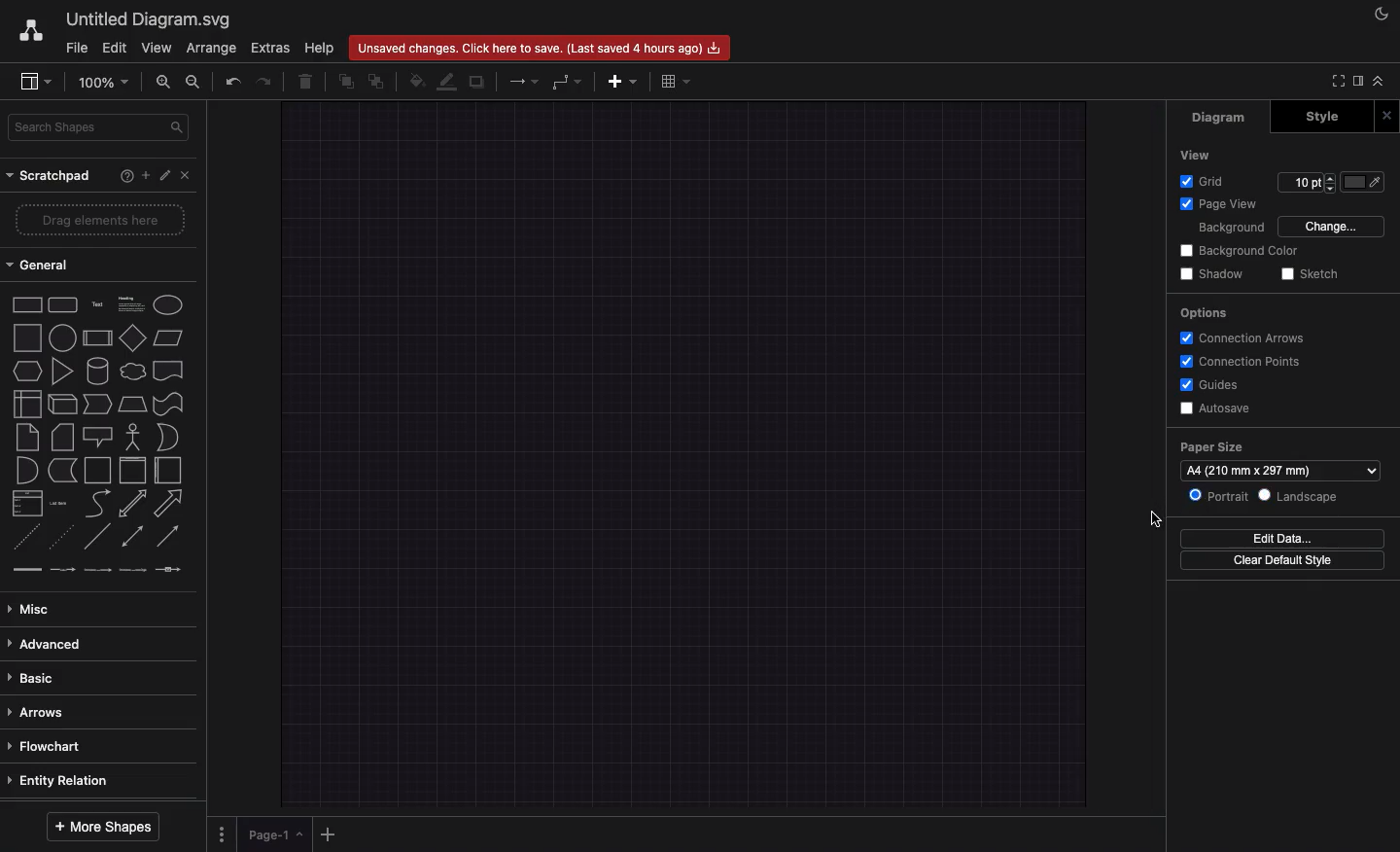 Image resolution: width=1400 pixels, height=852 pixels. What do you see at coordinates (1193, 156) in the screenshot?
I see `View` at bounding box center [1193, 156].